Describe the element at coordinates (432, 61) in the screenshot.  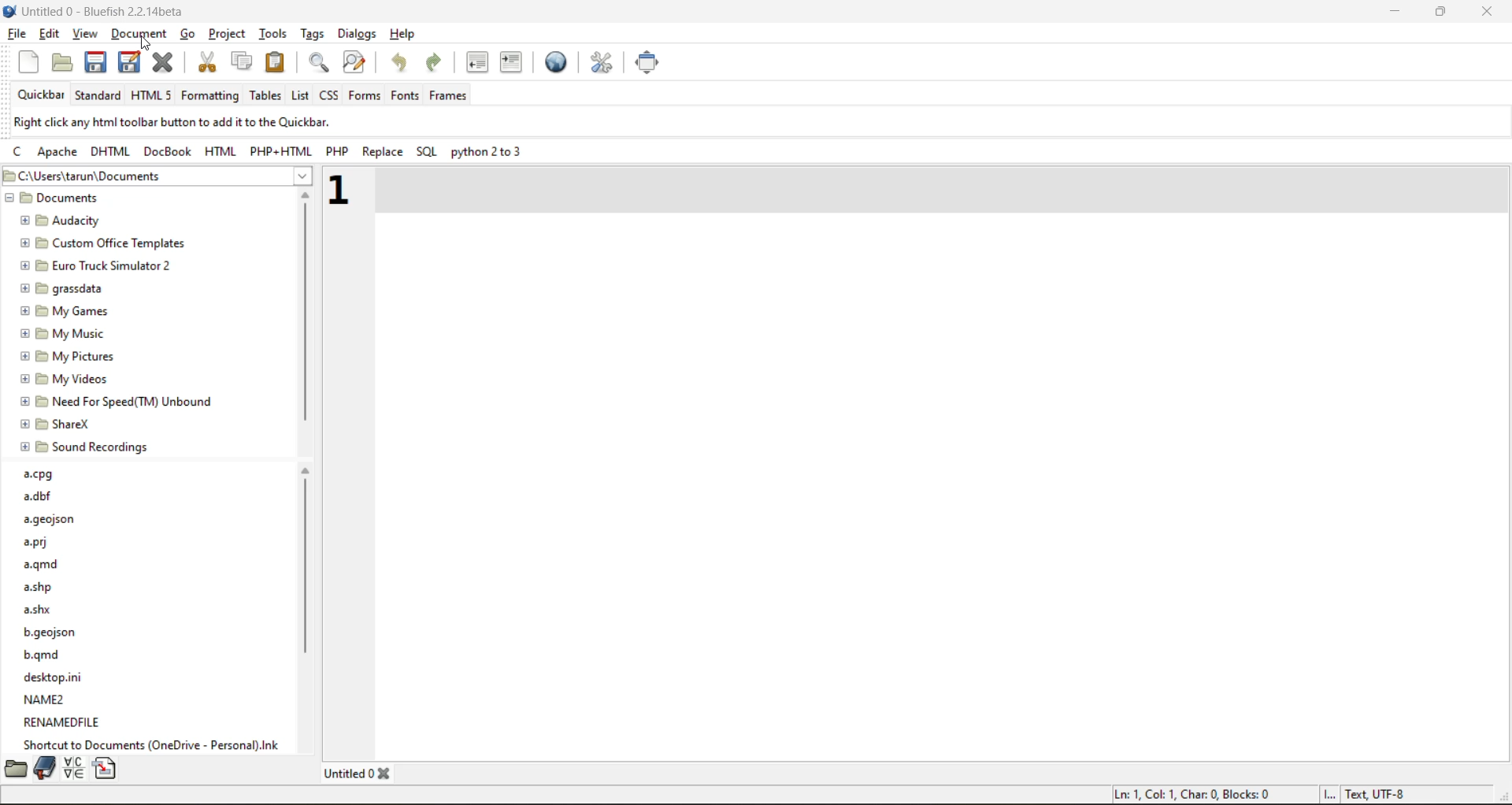
I see `redo` at that location.